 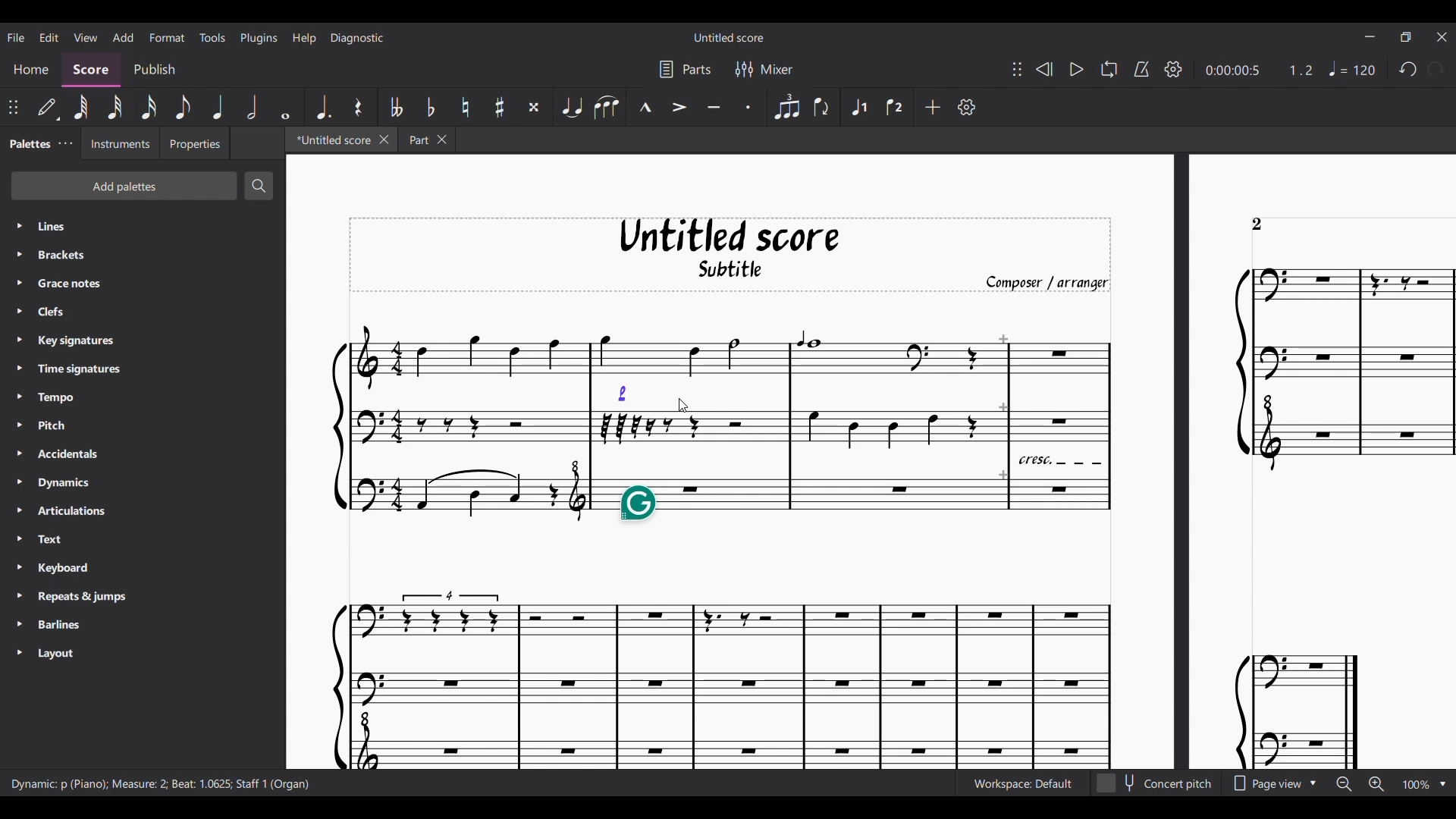 What do you see at coordinates (764, 68) in the screenshot?
I see `Mixer settings` at bounding box center [764, 68].